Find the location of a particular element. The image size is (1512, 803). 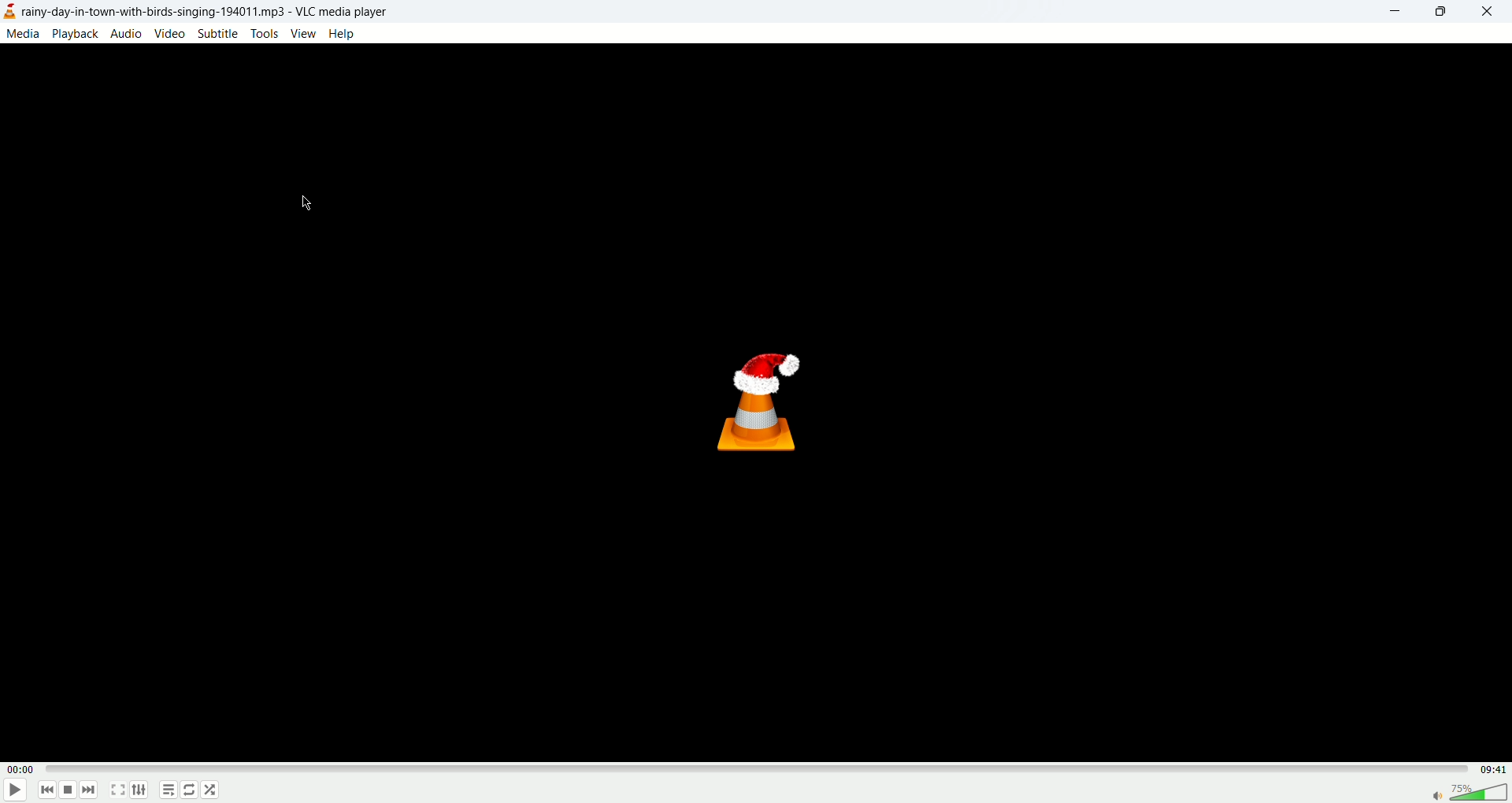

logo is located at coordinates (10, 12).